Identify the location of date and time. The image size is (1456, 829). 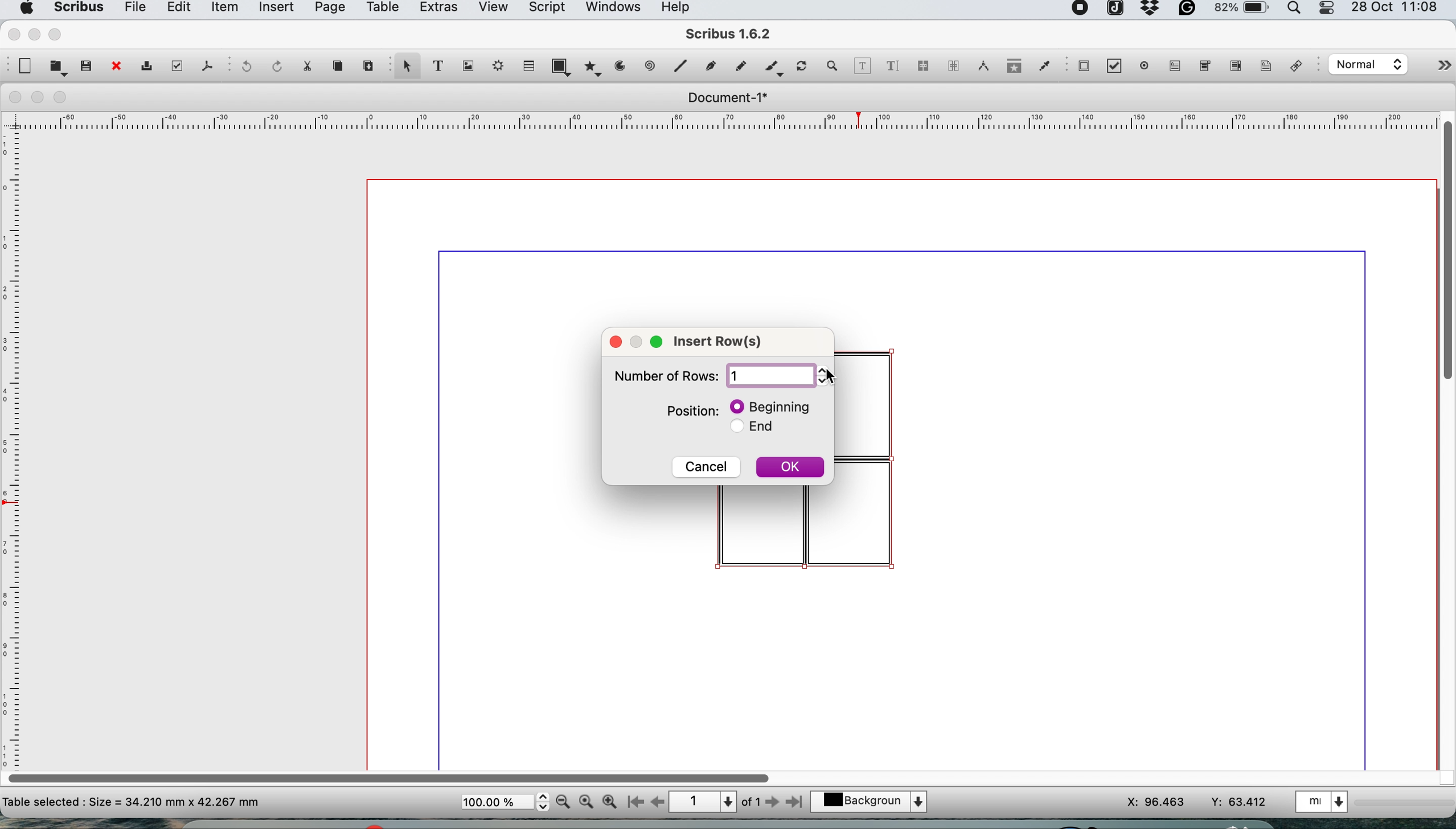
(1397, 9).